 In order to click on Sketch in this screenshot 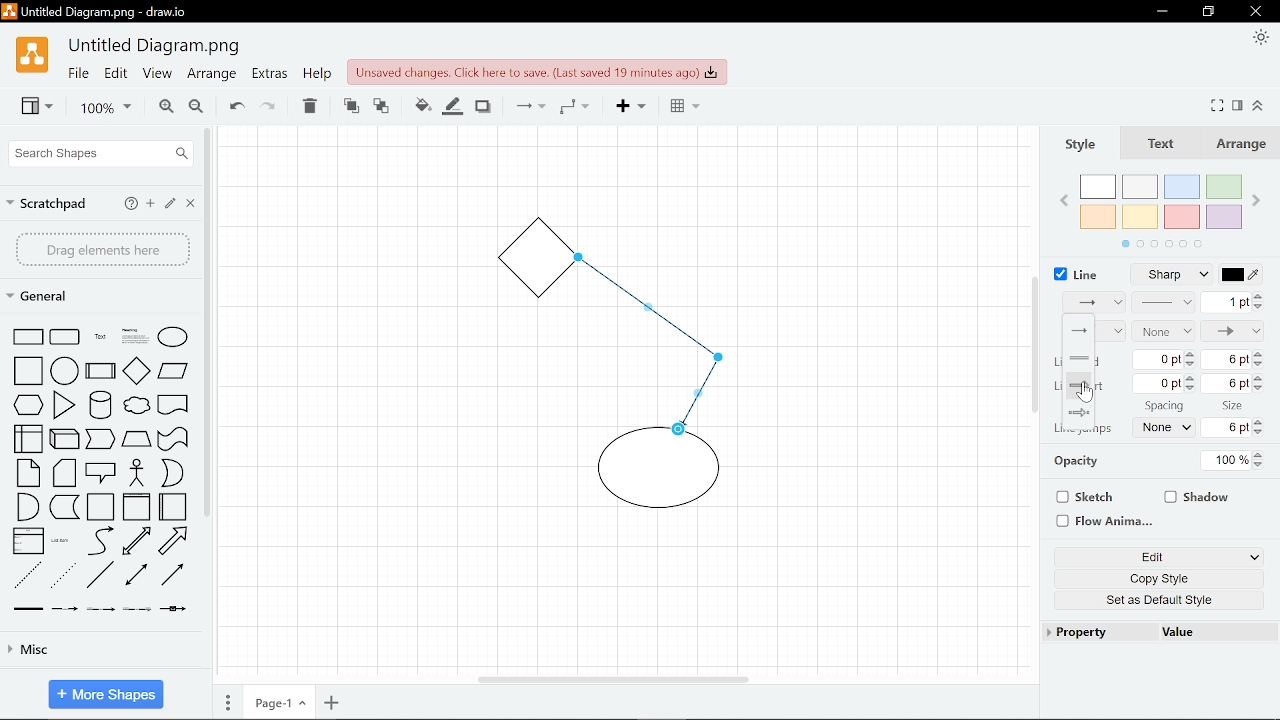, I will do `click(1081, 498)`.